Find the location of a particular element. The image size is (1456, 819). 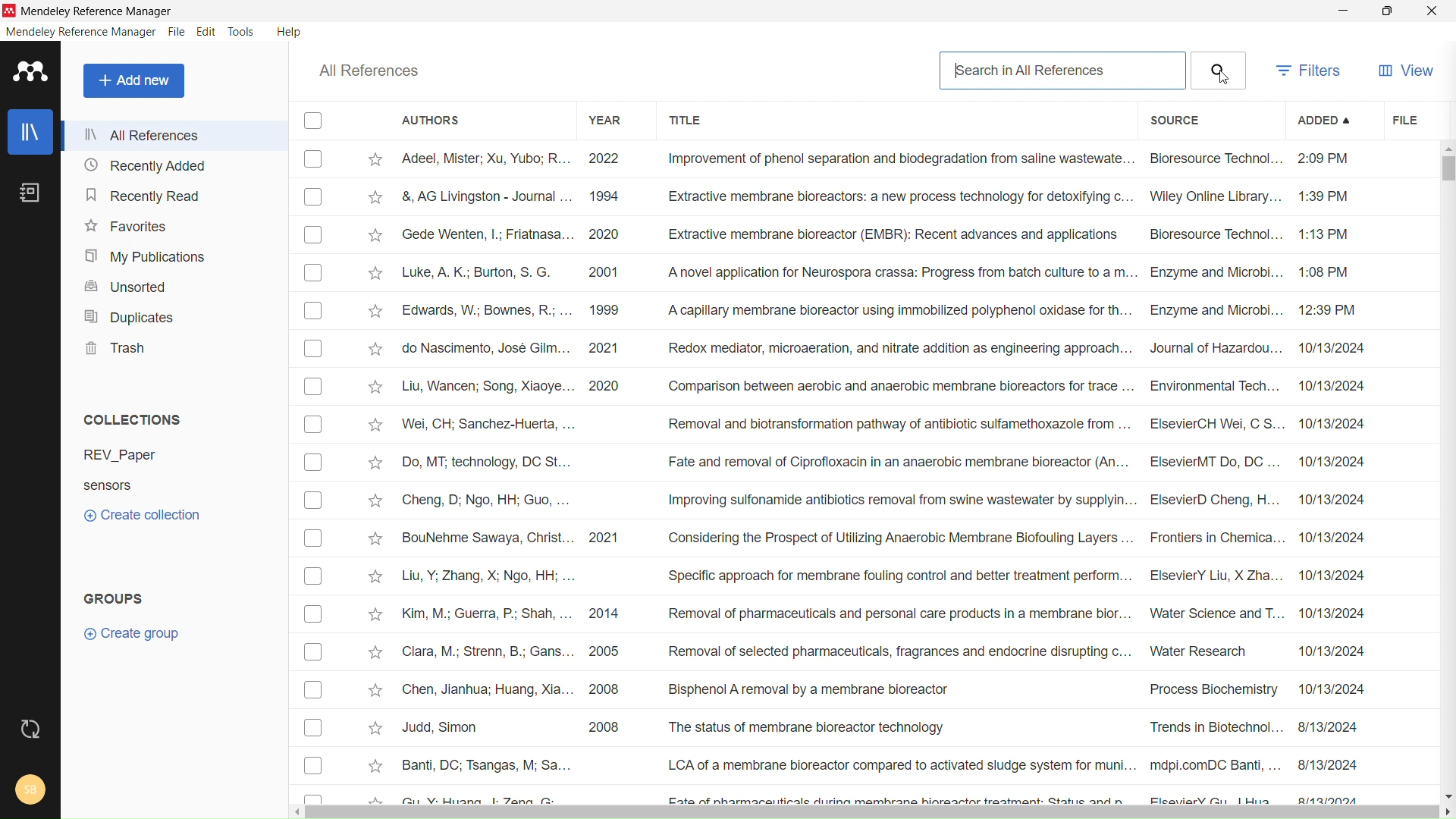

Checkbox is located at coordinates (315, 347).